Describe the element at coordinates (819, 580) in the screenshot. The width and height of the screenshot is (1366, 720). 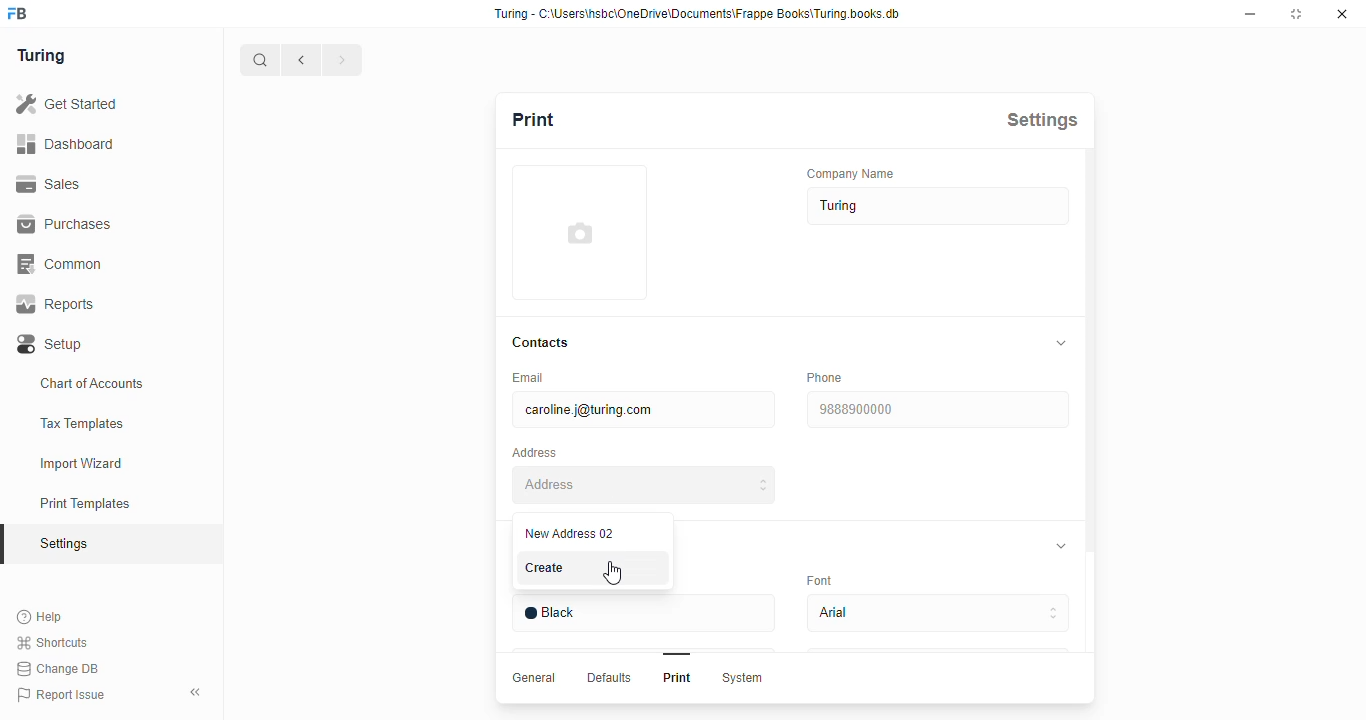
I see `font` at that location.